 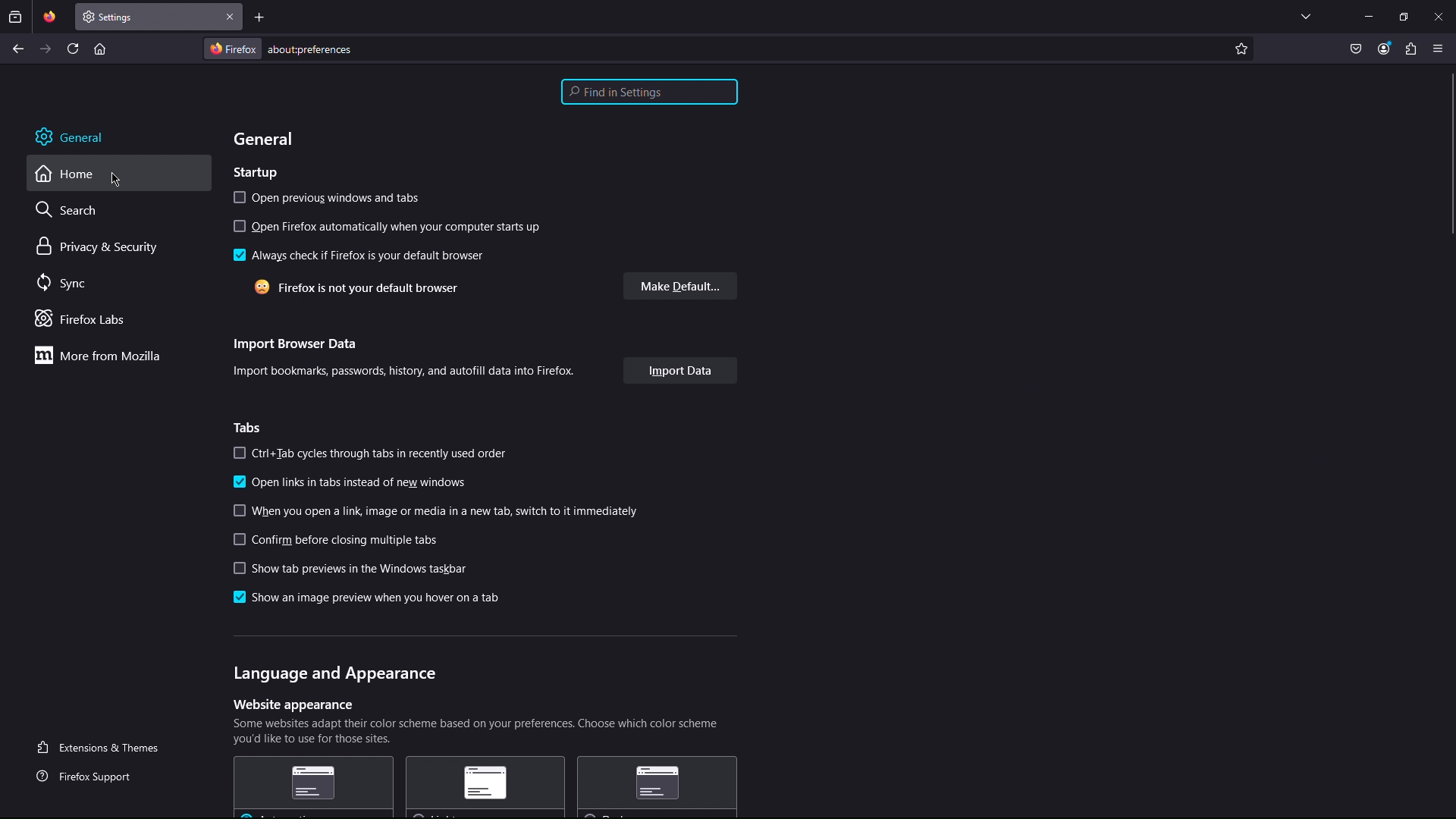 What do you see at coordinates (265, 139) in the screenshot?
I see `General` at bounding box center [265, 139].